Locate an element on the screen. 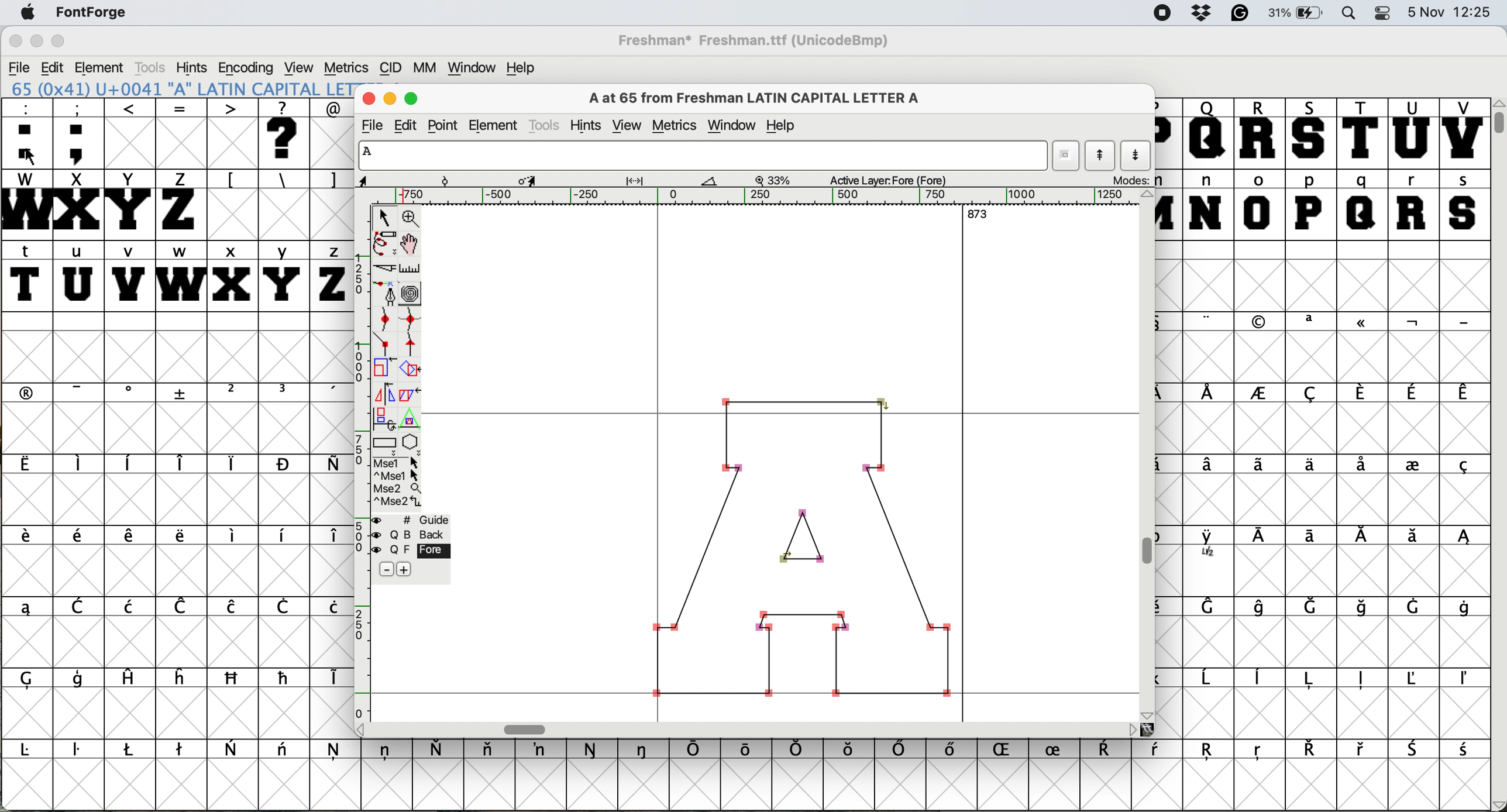 The width and height of the screenshot is (1507, 812).  is located at coordinates (234, 394).